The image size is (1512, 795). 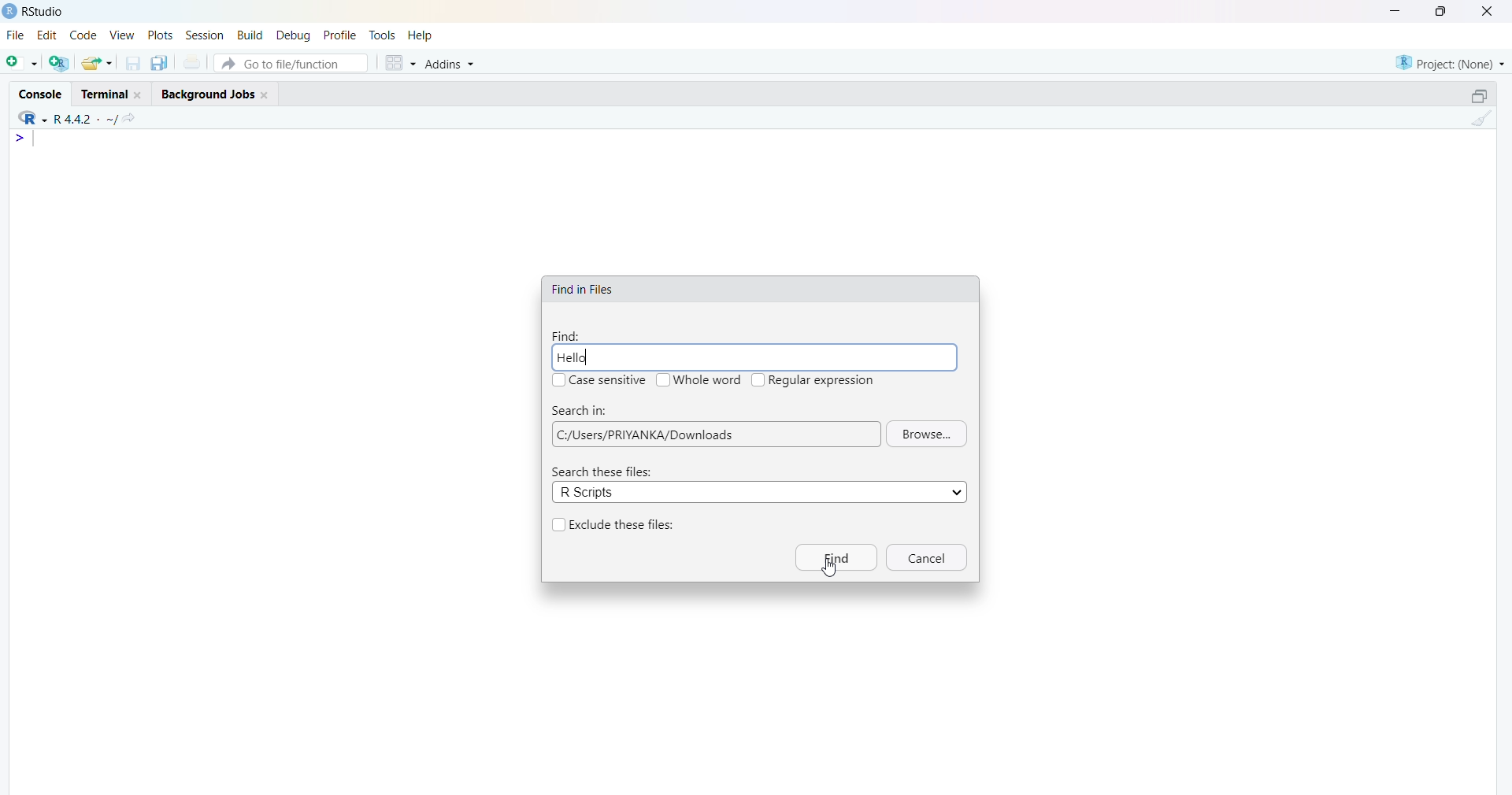 I want to click on file, so click(x=17, y=34).